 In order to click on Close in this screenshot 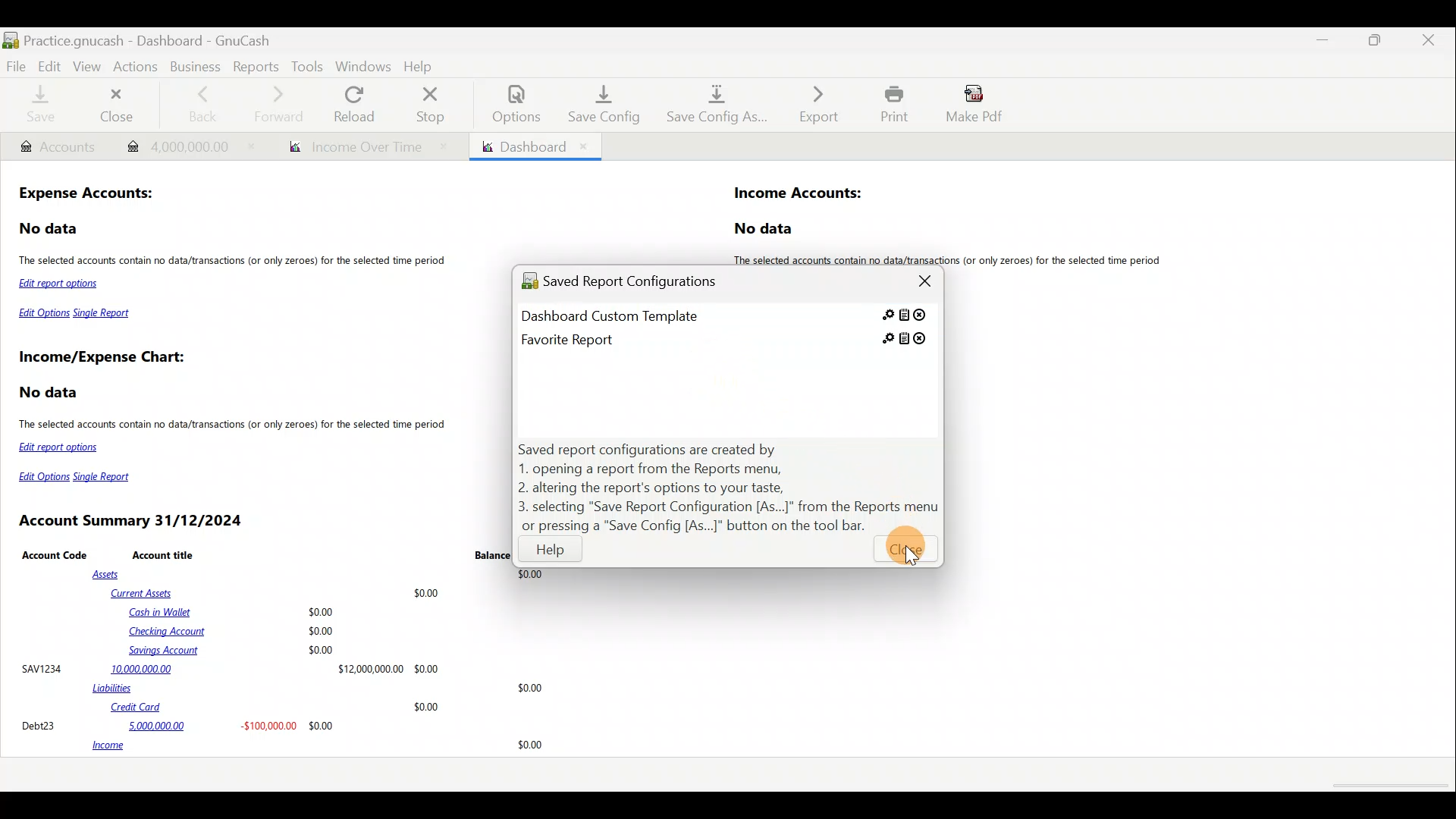, I will do `click(927, 281)`.